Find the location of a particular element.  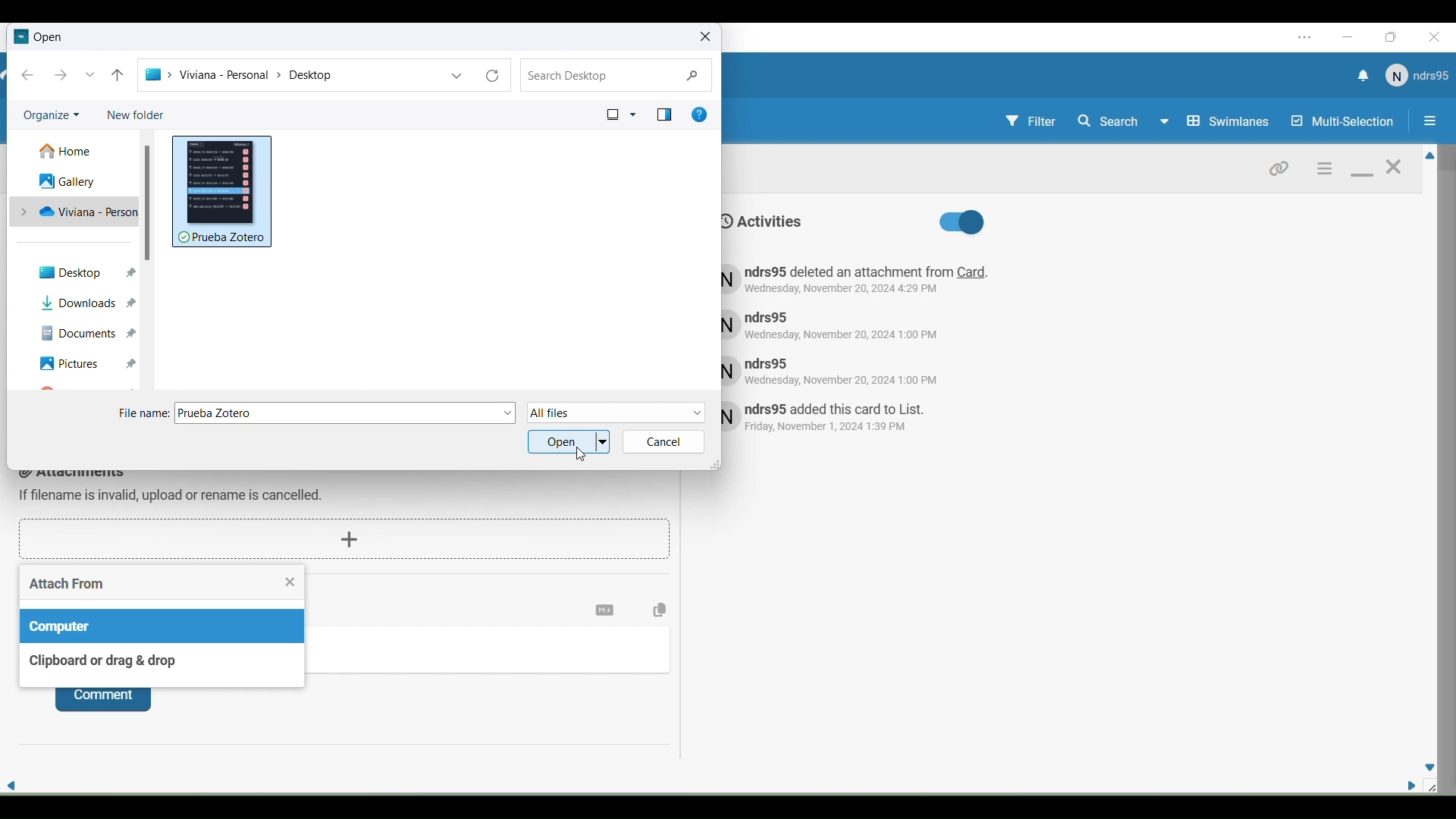

Text is located at coordinates (145, 414).